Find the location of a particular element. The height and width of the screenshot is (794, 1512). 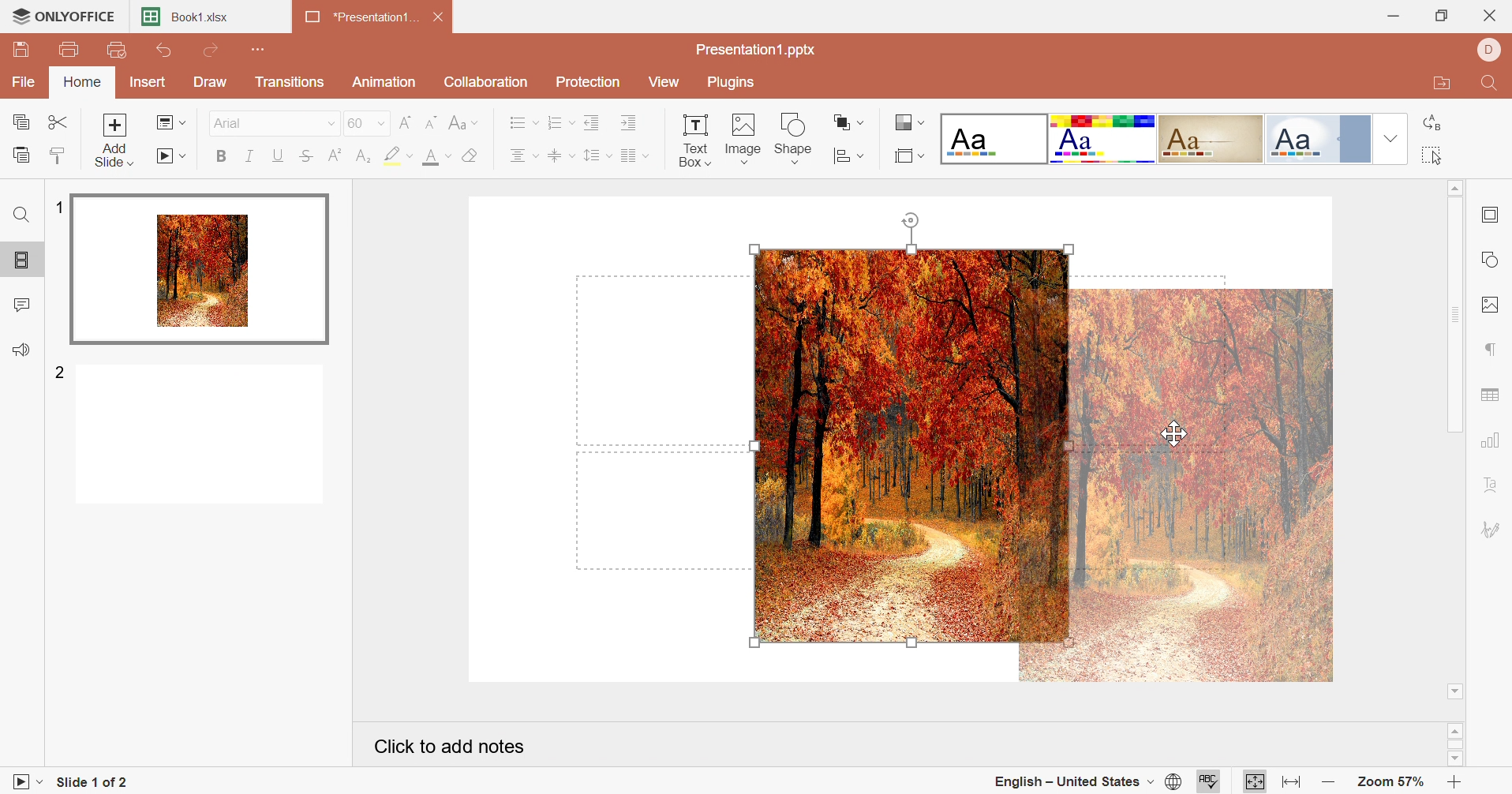

DELL is located at coordinates (1489, 51).